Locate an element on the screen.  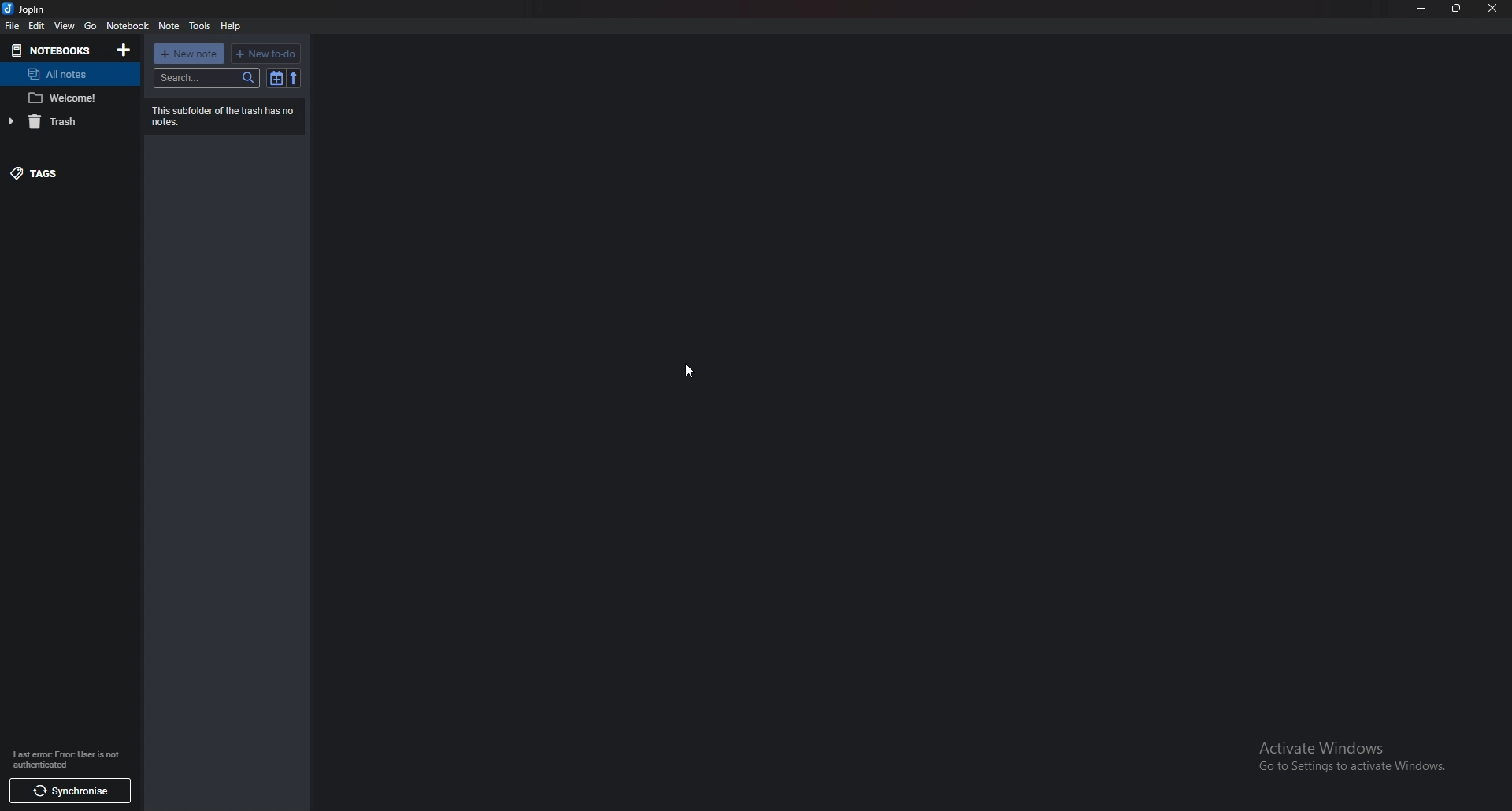
Help is located at coordinates (235, 25).